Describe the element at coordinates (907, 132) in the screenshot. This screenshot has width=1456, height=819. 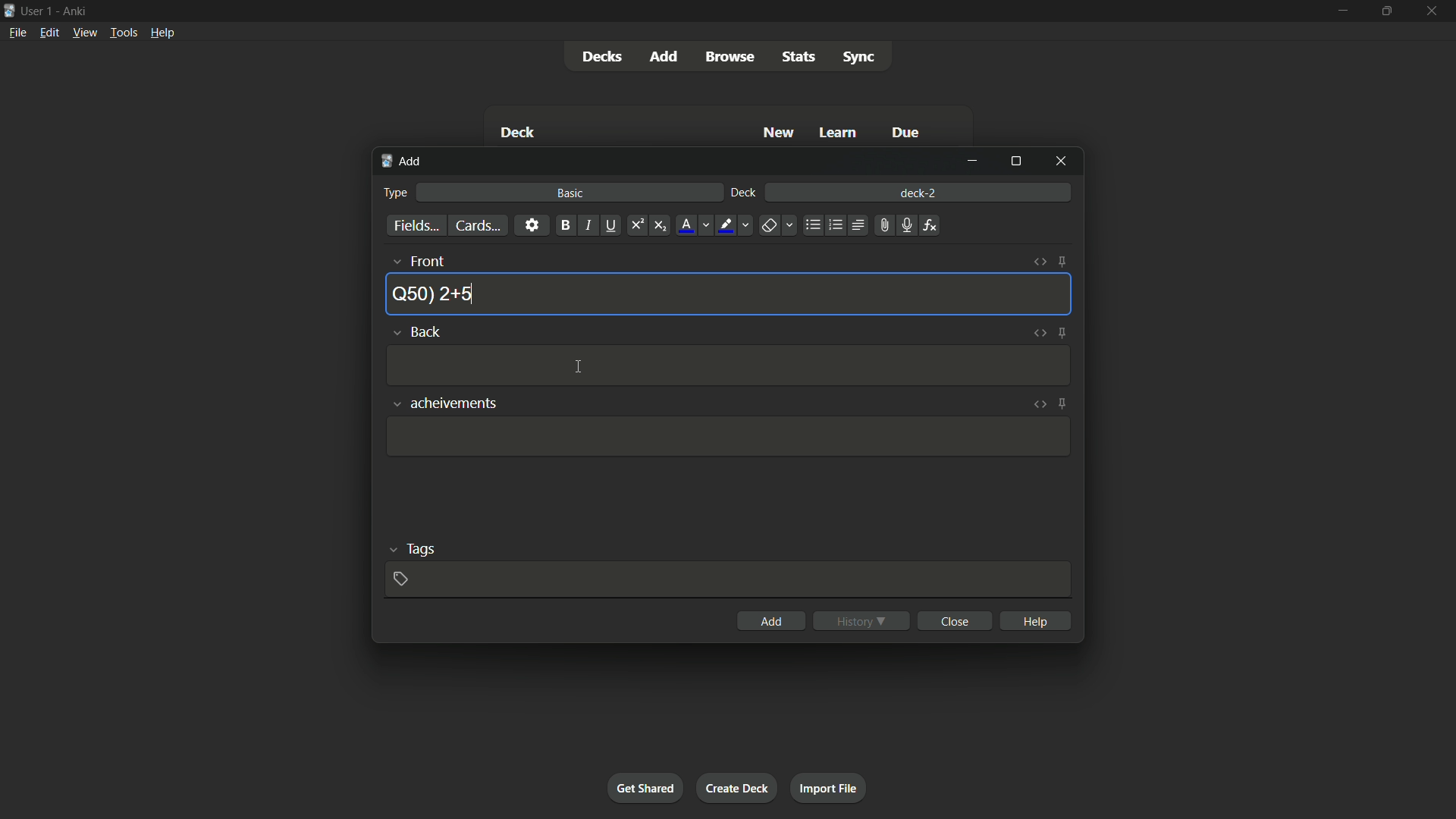
I see `Due` at that location.